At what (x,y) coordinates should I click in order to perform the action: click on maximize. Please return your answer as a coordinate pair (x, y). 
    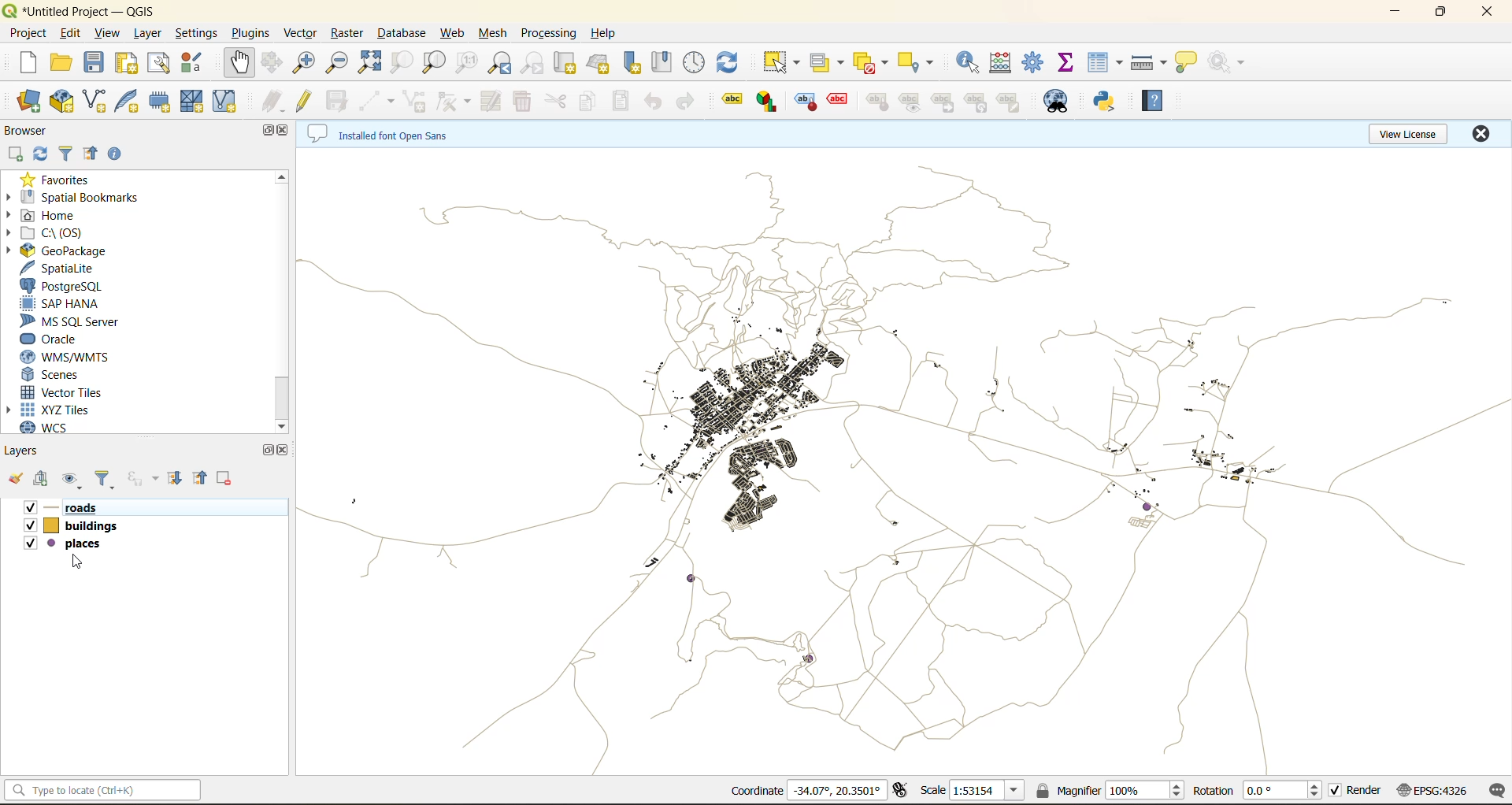
    Looking at the image, I should click on (1442, 13).